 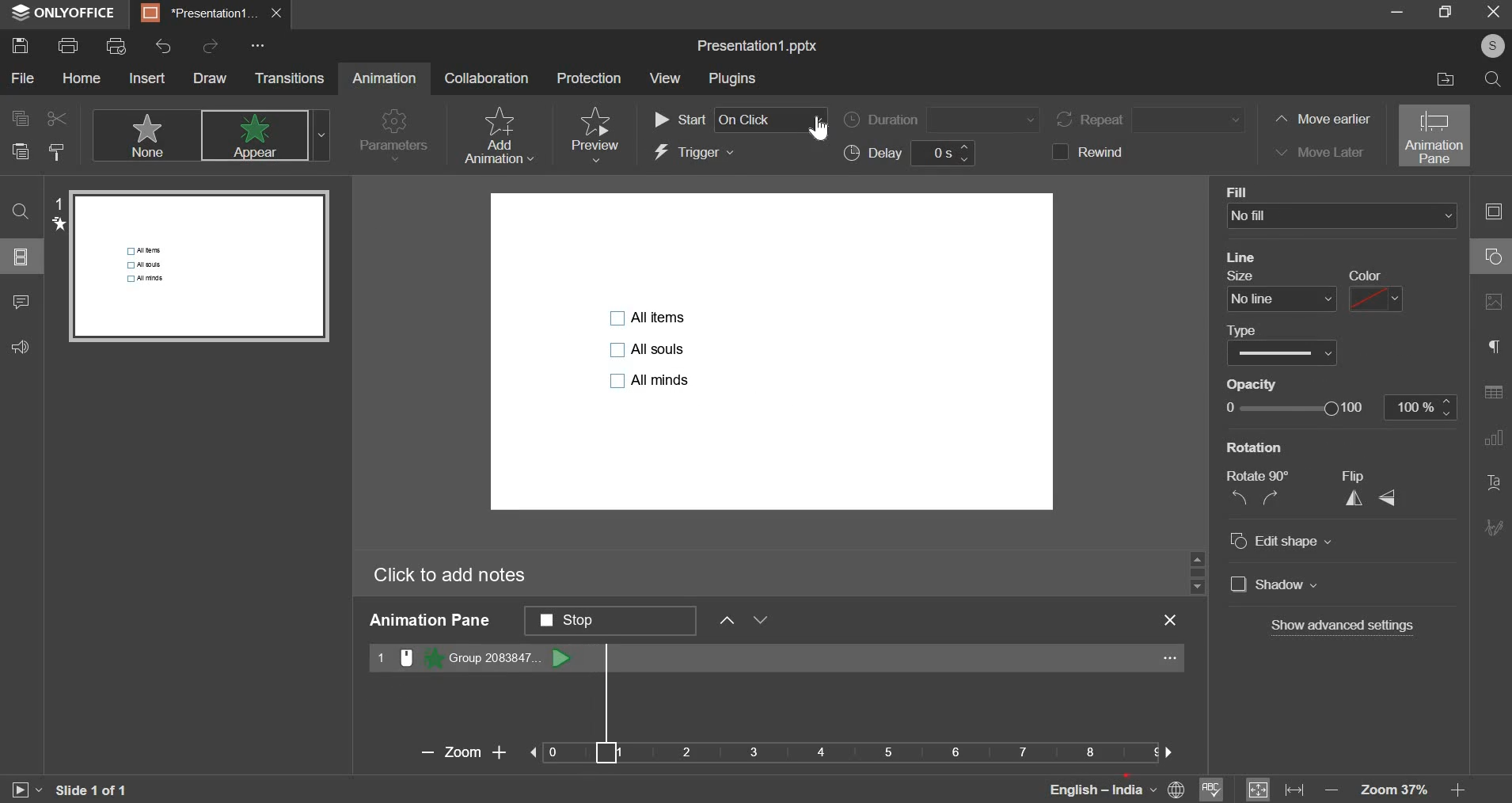 What do you see at coordinates (200, 263) in the screenshot?
I see `slide preview` at bounding box center [200, 263].